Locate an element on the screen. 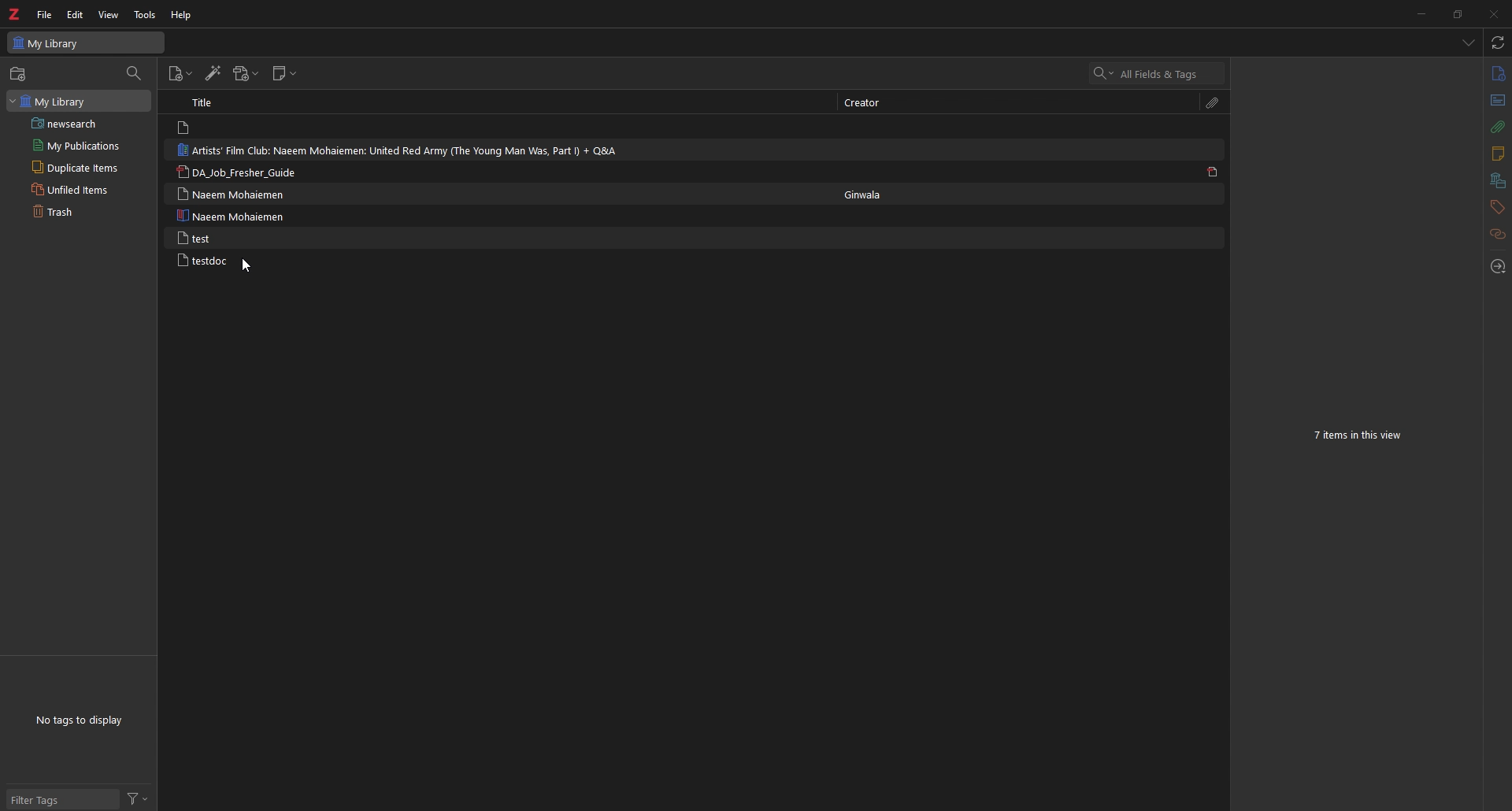  filter tags is located at coordinates (64, 799).